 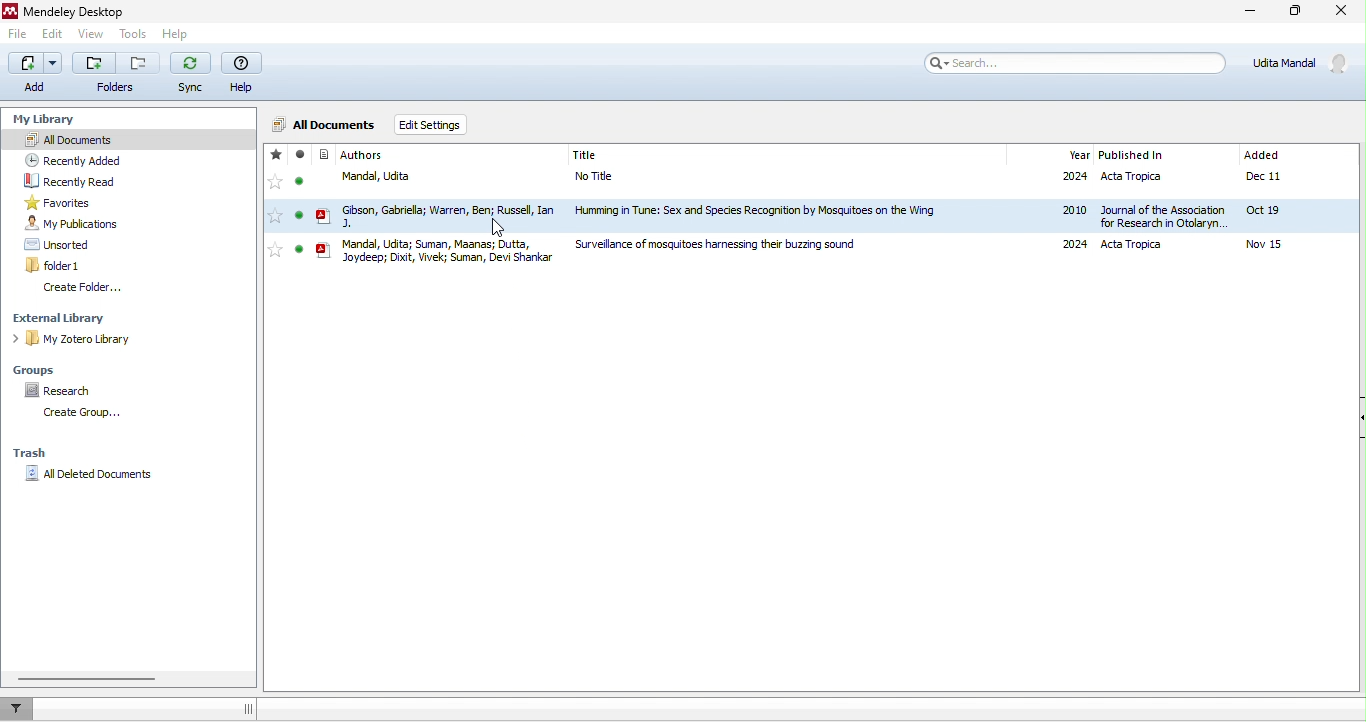 What do you see at coordinates (130, 35) in the screenshot?
I see `tools` at bounding box center [130, 35].